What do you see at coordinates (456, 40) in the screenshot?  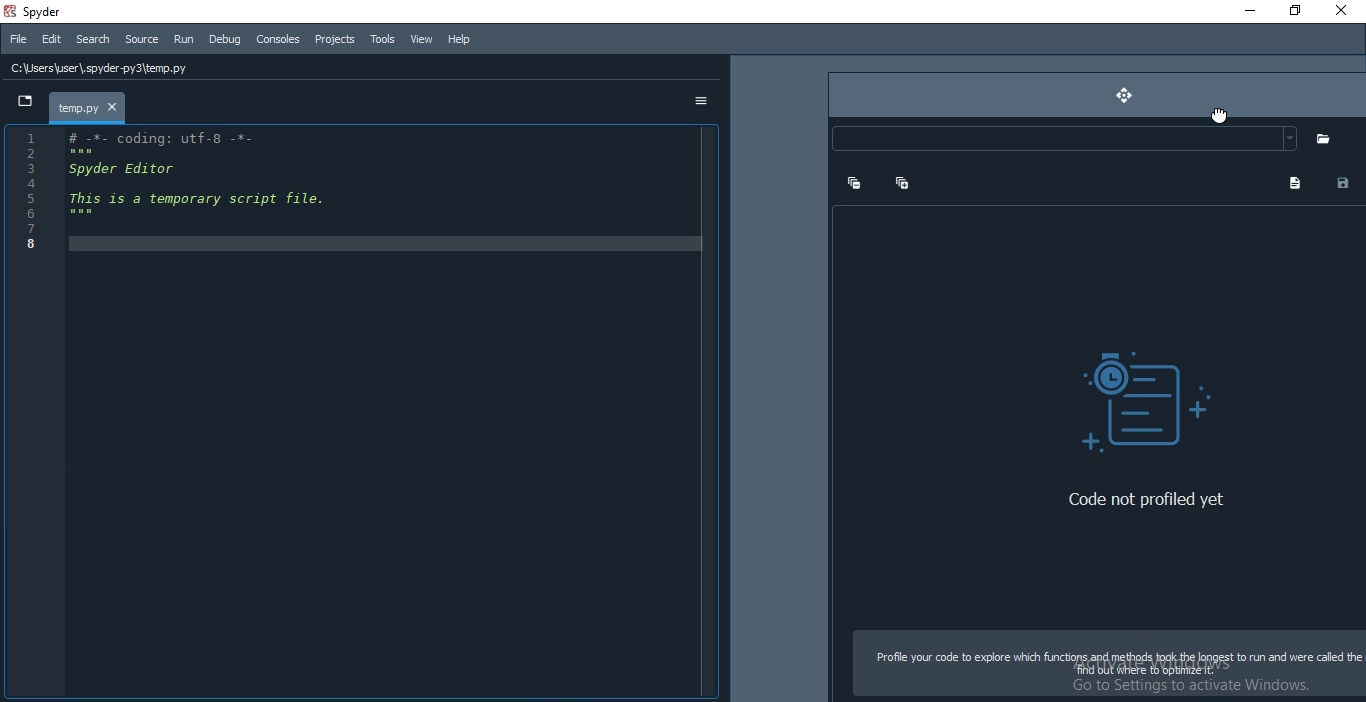 I see `Help` at bounding box center [456, 40].